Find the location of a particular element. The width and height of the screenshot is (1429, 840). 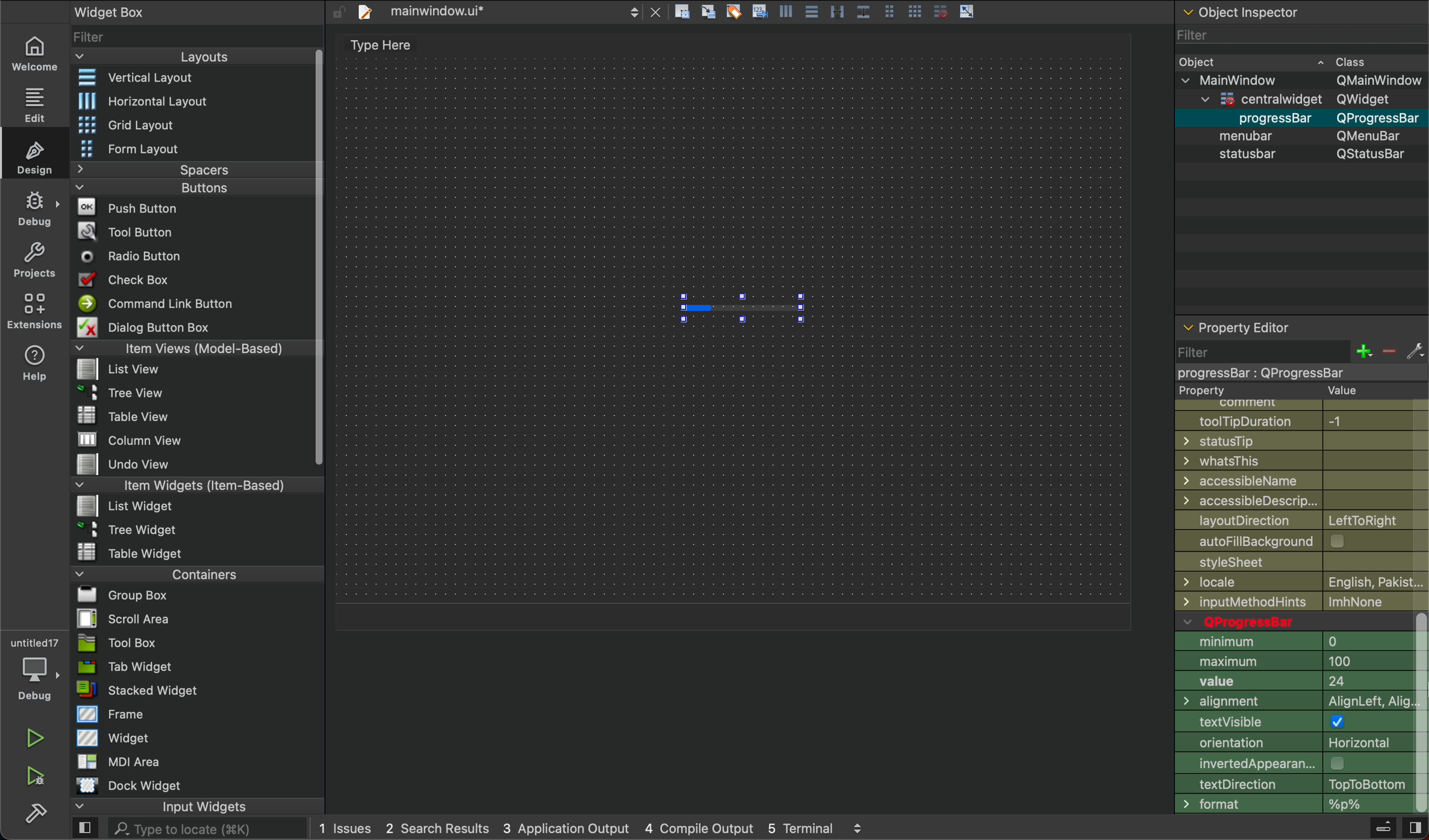

File is located at coordinates (137, 465).